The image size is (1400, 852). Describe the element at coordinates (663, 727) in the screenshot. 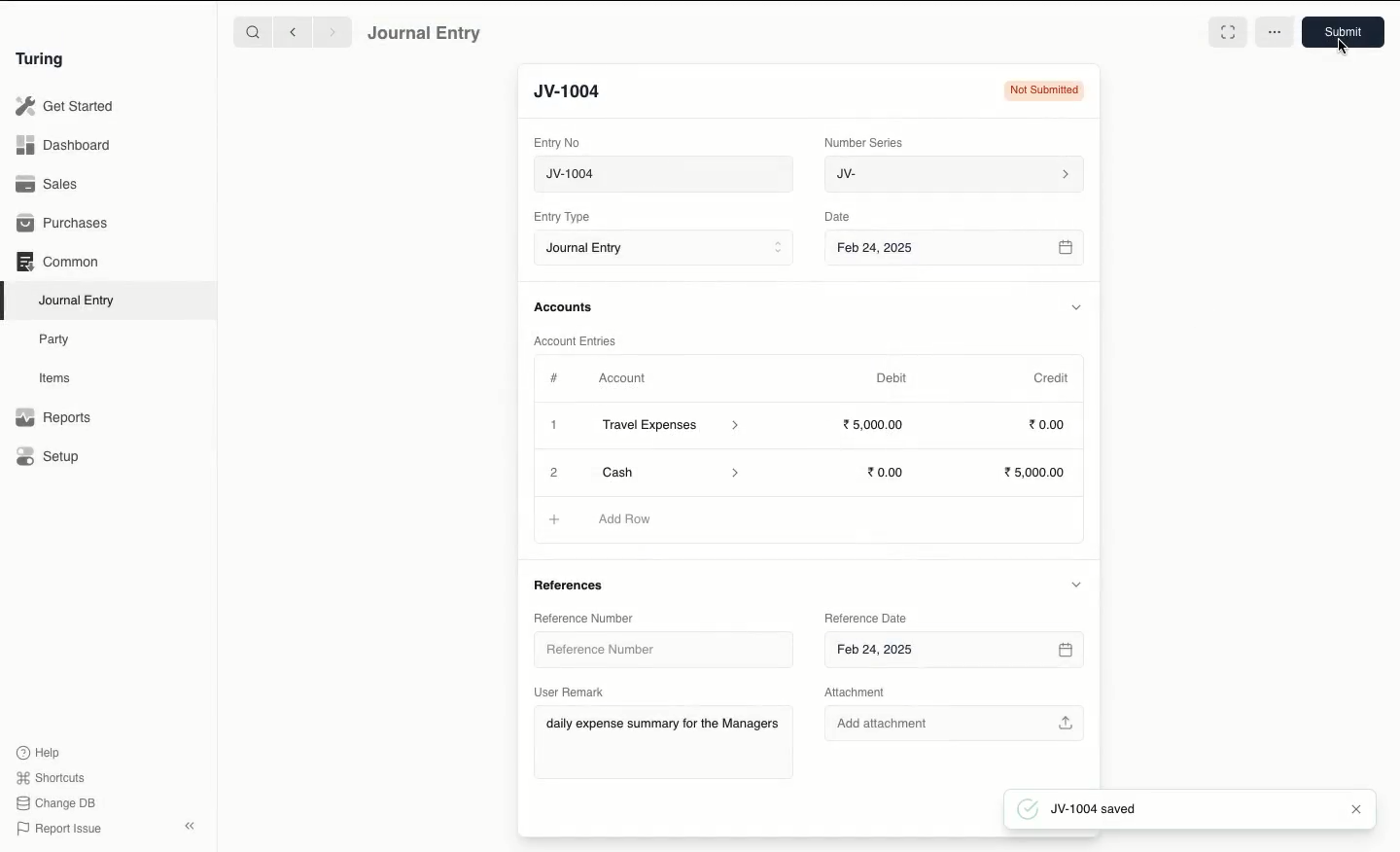

I see `daily expense summary for the Managers` at that location.